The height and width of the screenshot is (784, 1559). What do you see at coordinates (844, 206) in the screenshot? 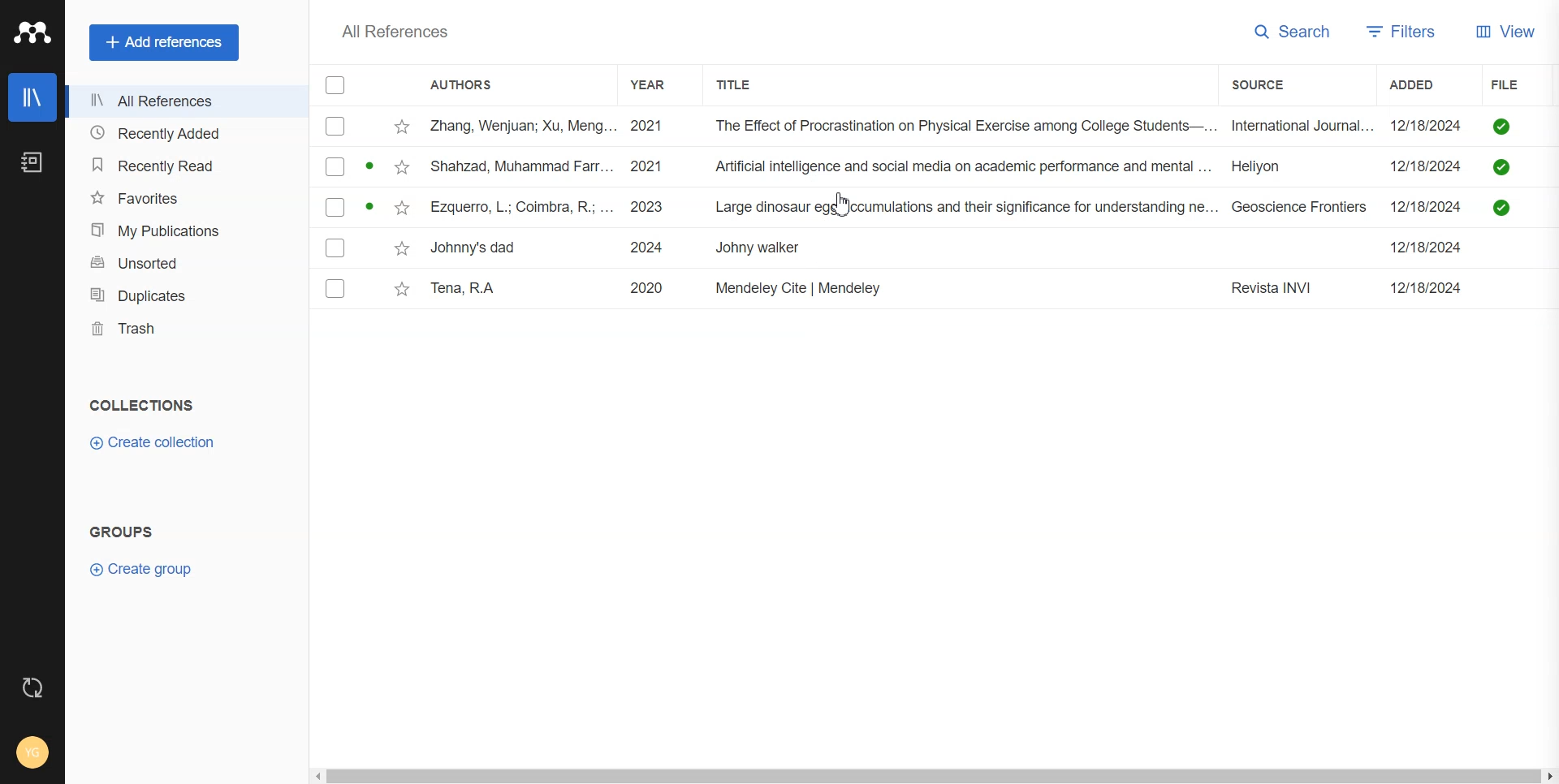
I see `Cursor` at bounding box center [844, 206].